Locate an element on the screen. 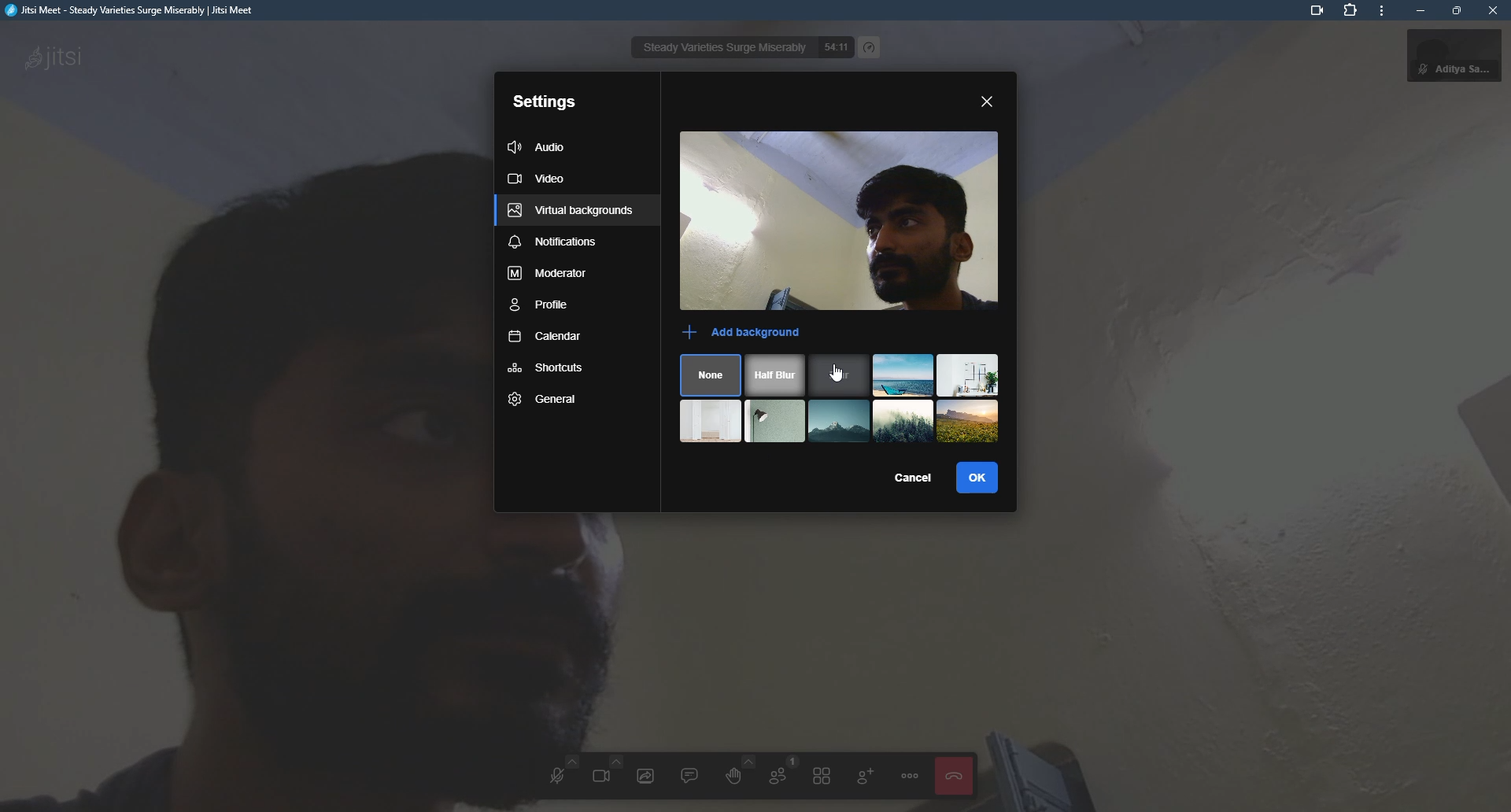 This screenshot has height=812, width=1511. video is located at coordinates (885, 222).